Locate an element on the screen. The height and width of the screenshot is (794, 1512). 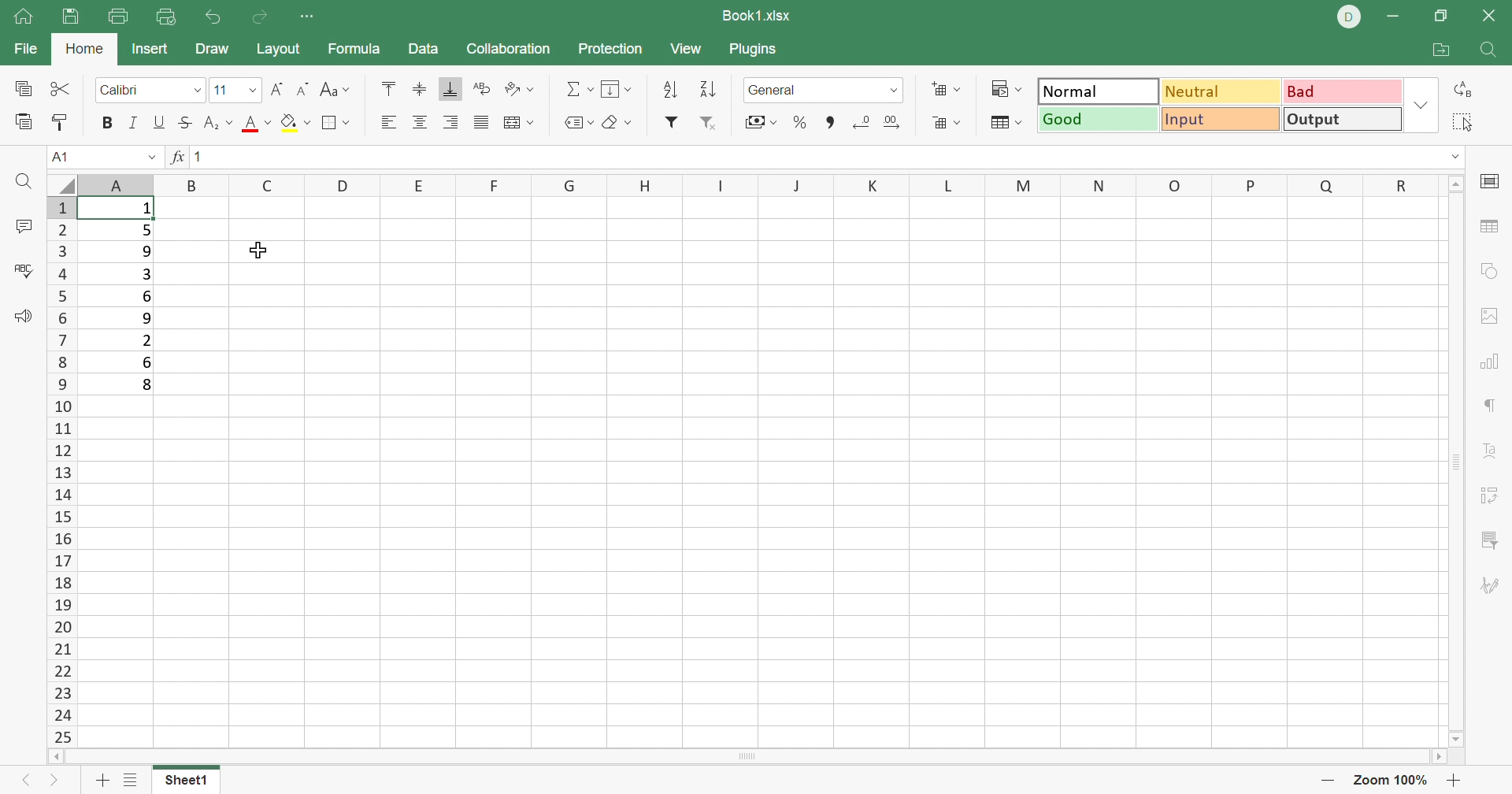
Formula is located at coordinates (355, 50).